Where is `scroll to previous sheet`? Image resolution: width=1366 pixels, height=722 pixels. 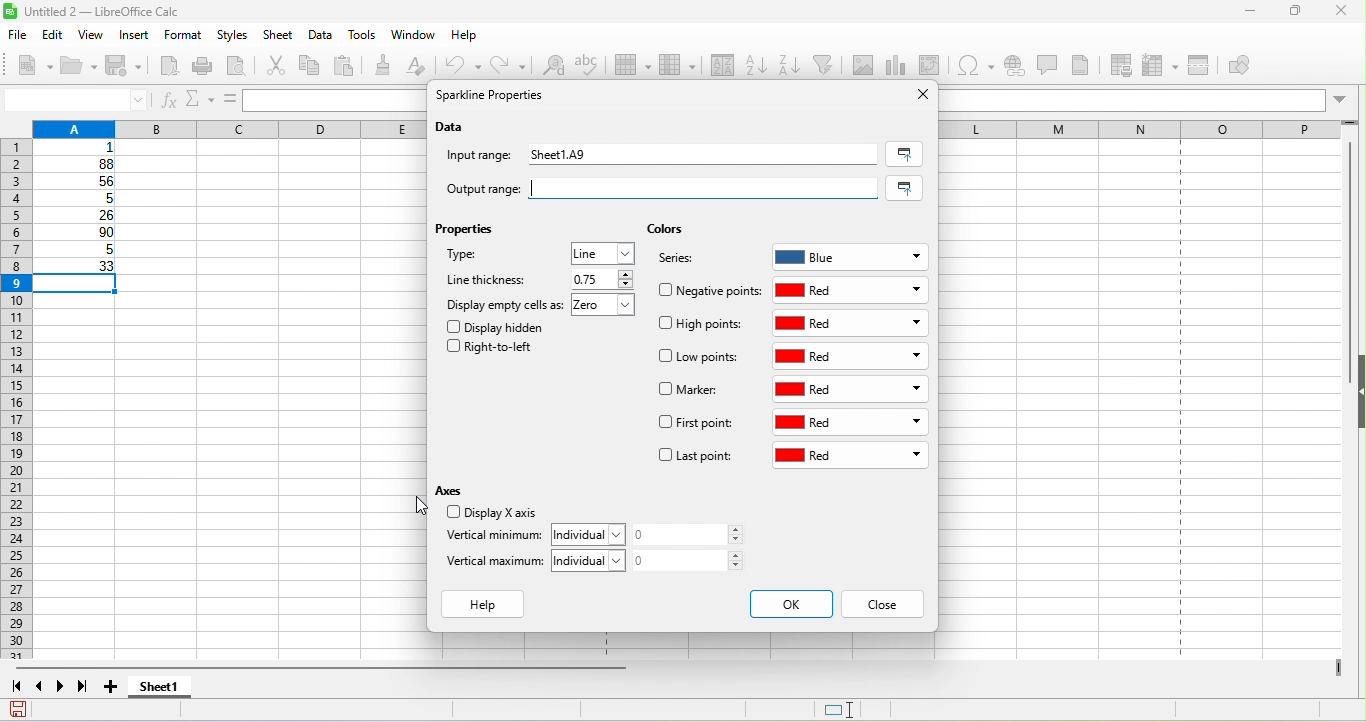
scroll to previous sheet is located at coordinates (41, 689).